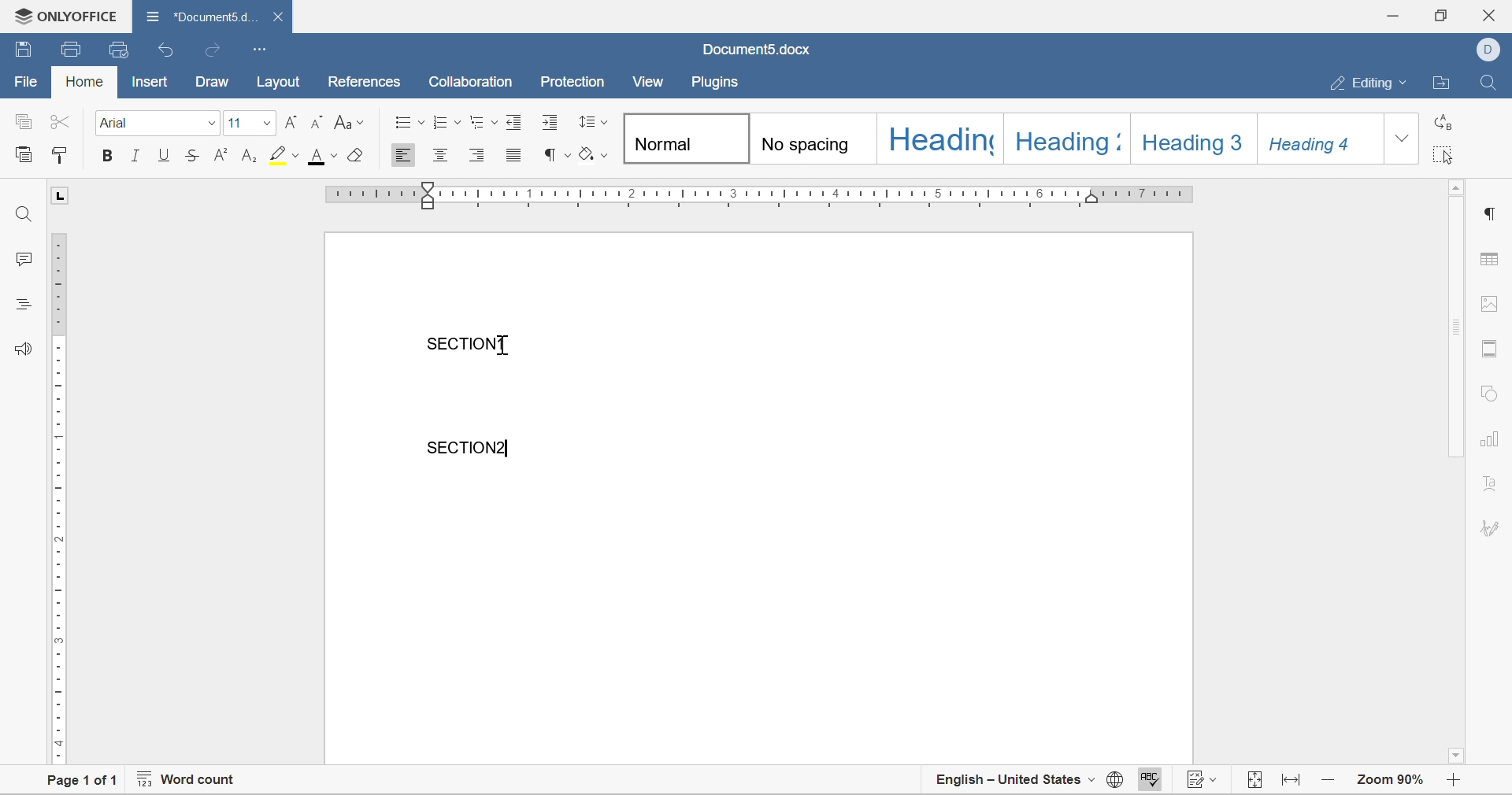 The width and height of the screenshot is (1512, 795). What do you see at coordinates (165, 154) in the screenshot?
I see `underline` at bounding box center [165, 154].